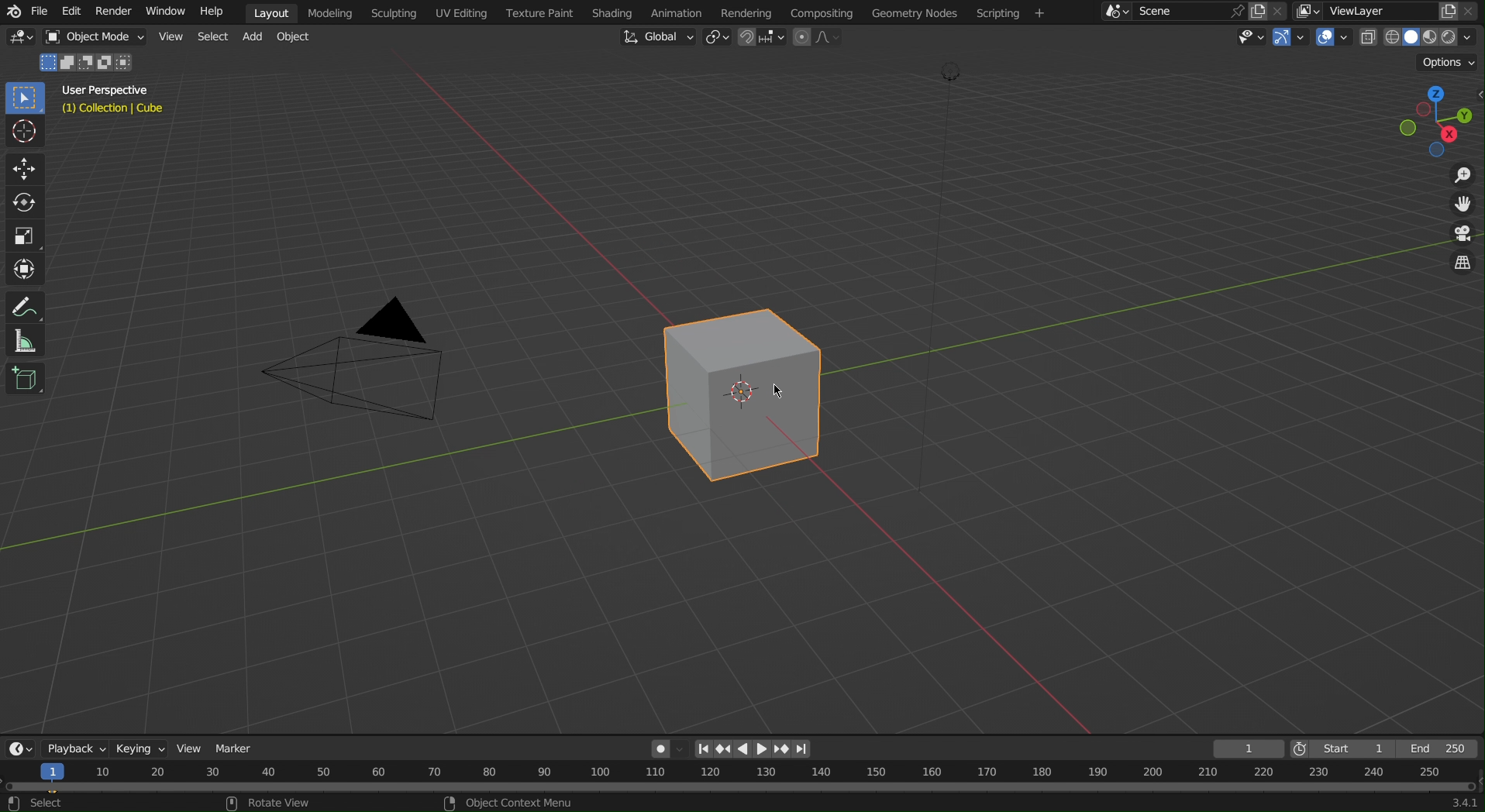  I want to click on Animation, so click(678, 13).